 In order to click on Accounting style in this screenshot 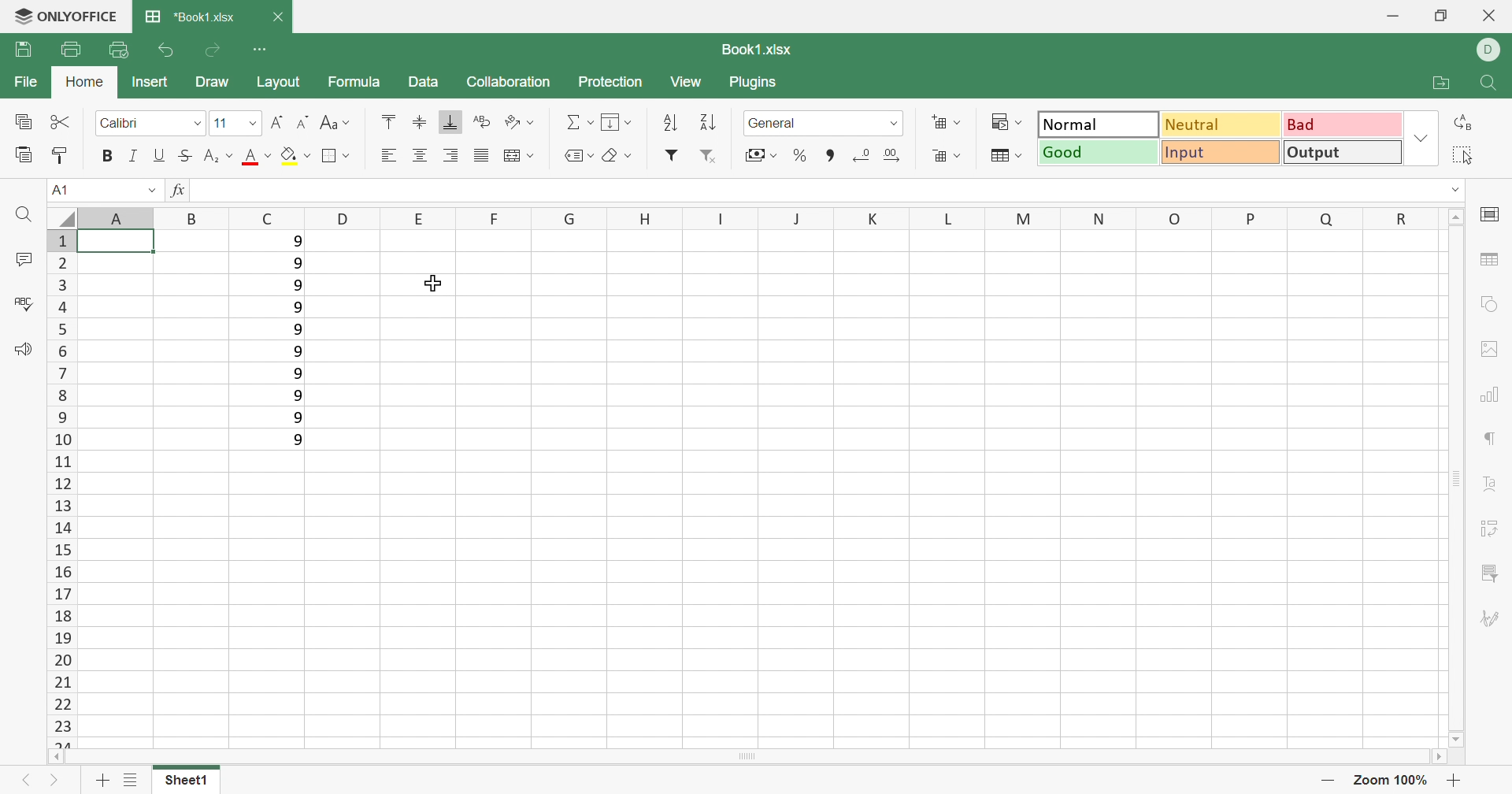, I will do `click(762, 155)`.